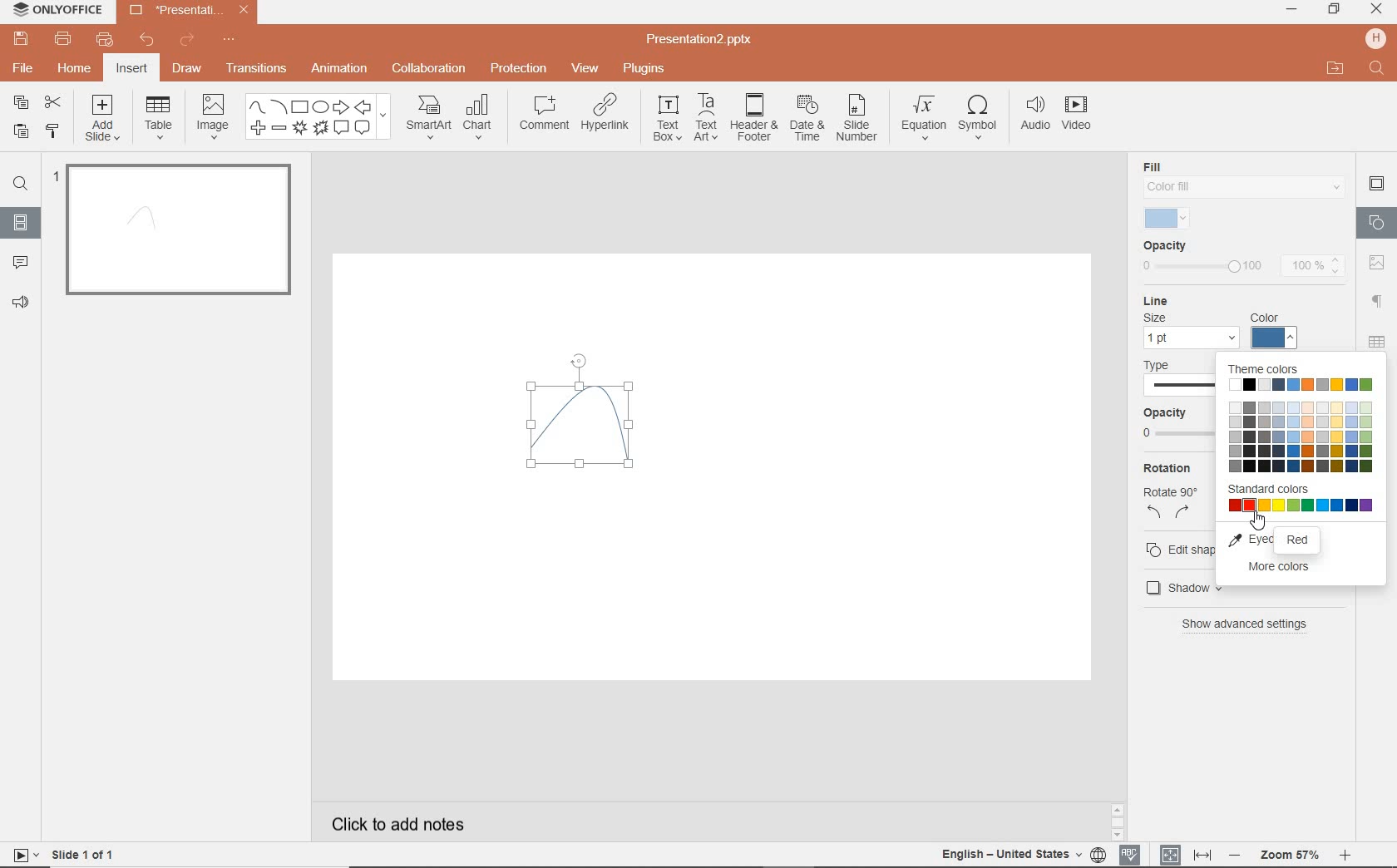 The width and height of the screenshot is (1397, 868). I want to click on TEXT LANGUAGE, so click(1023, 852).